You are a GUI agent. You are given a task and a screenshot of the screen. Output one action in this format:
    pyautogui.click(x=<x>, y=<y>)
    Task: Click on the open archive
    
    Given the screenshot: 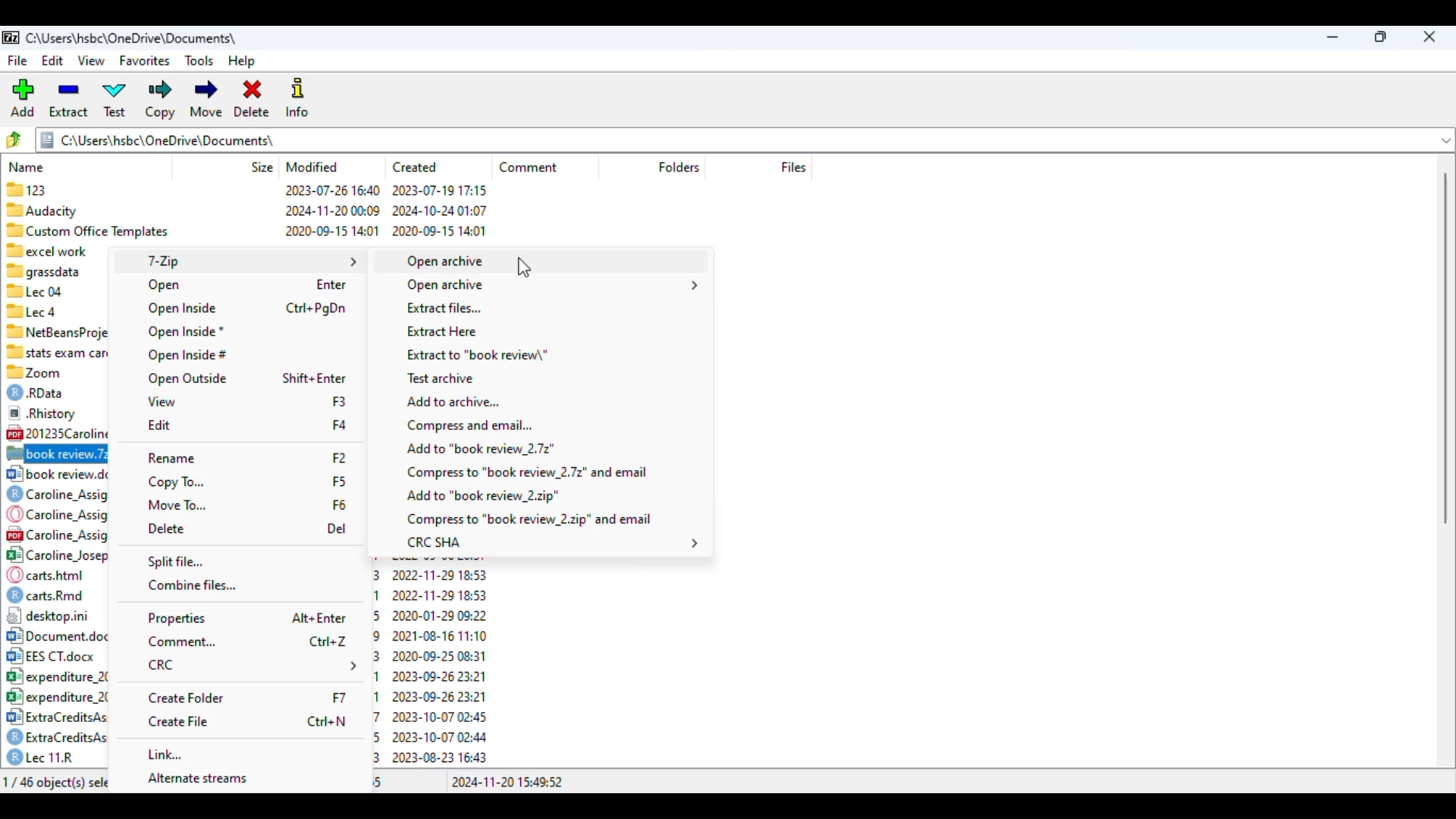 What is the action you would take?
    pyautogui.click(x=445, y=261)
    